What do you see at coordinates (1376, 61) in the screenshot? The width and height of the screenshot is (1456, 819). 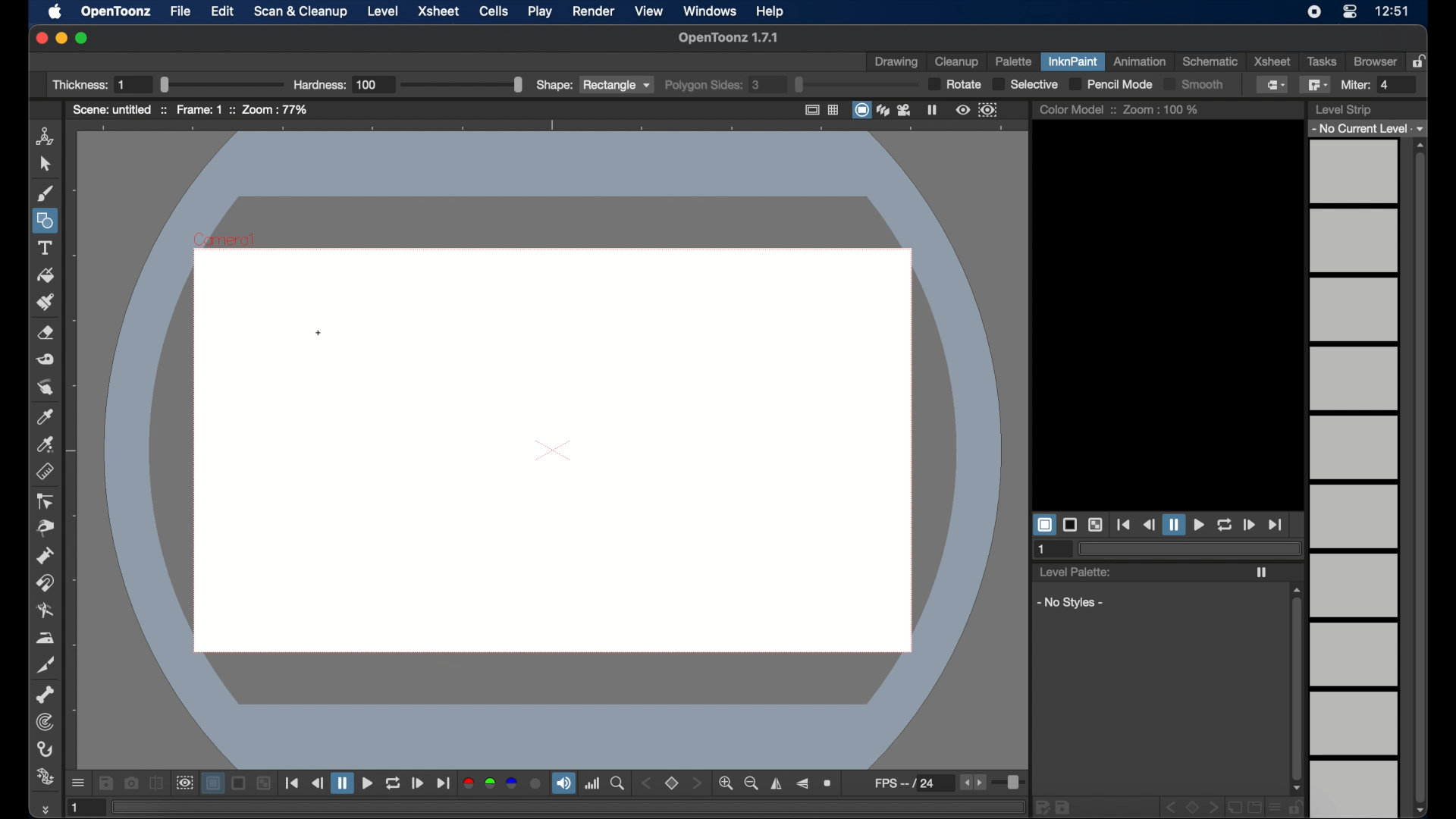 I see `browser` at bounding box center [1376, 61].